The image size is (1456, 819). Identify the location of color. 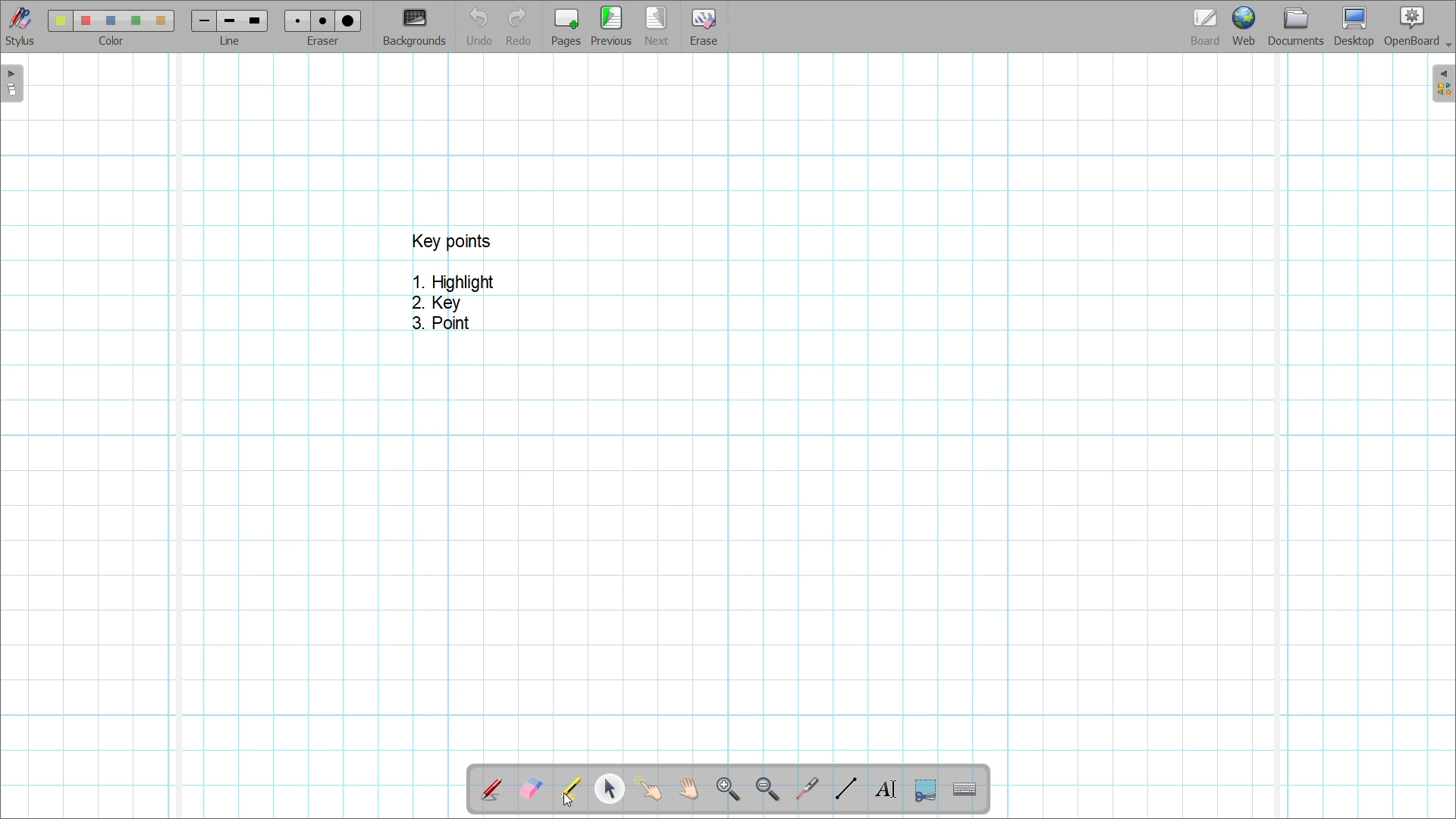
(108, 41).